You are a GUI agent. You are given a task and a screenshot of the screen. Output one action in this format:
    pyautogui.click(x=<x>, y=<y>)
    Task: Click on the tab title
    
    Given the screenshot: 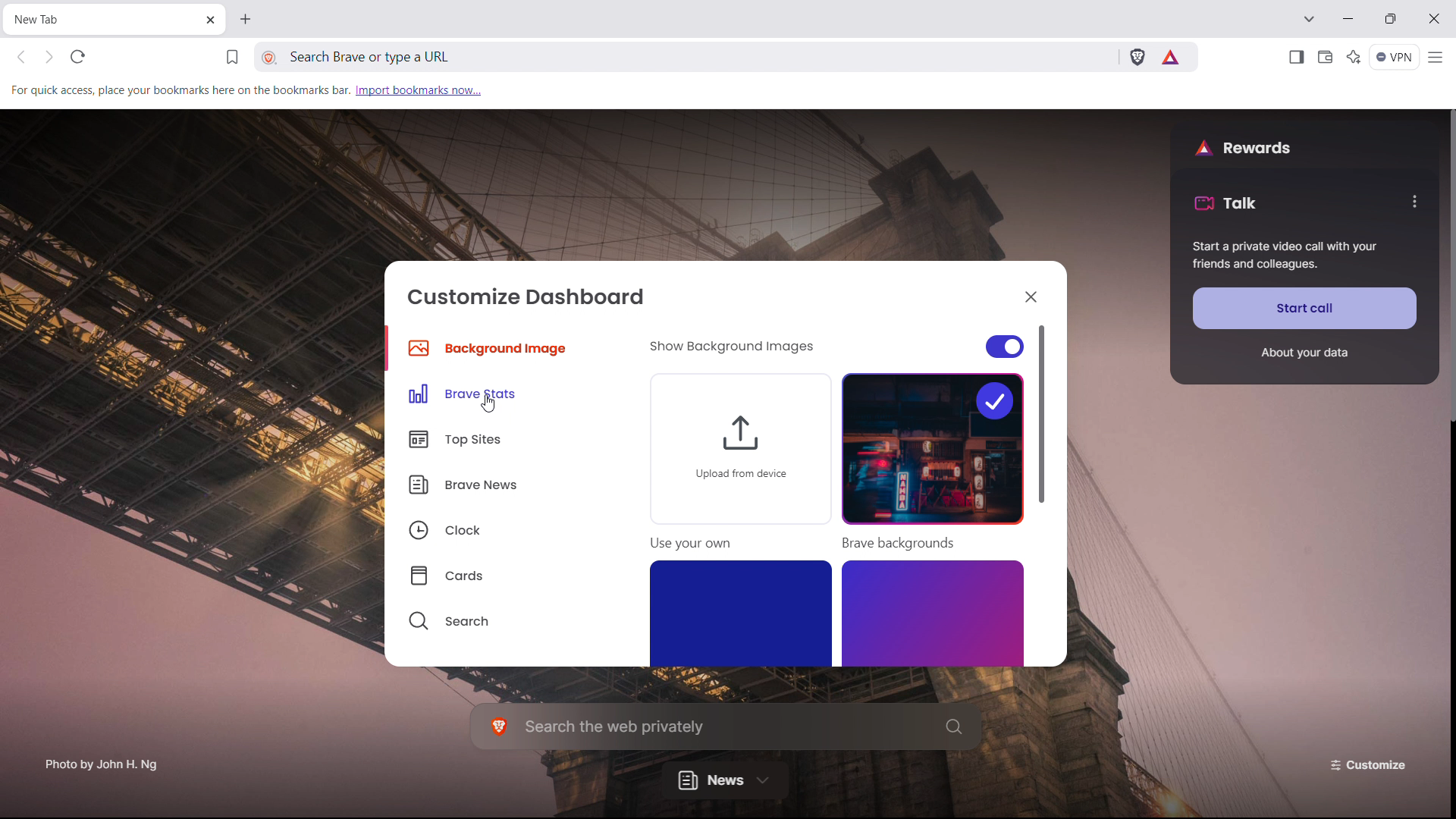 What is the action you would take?
    pyautogui.click(x=47, y=19)
    